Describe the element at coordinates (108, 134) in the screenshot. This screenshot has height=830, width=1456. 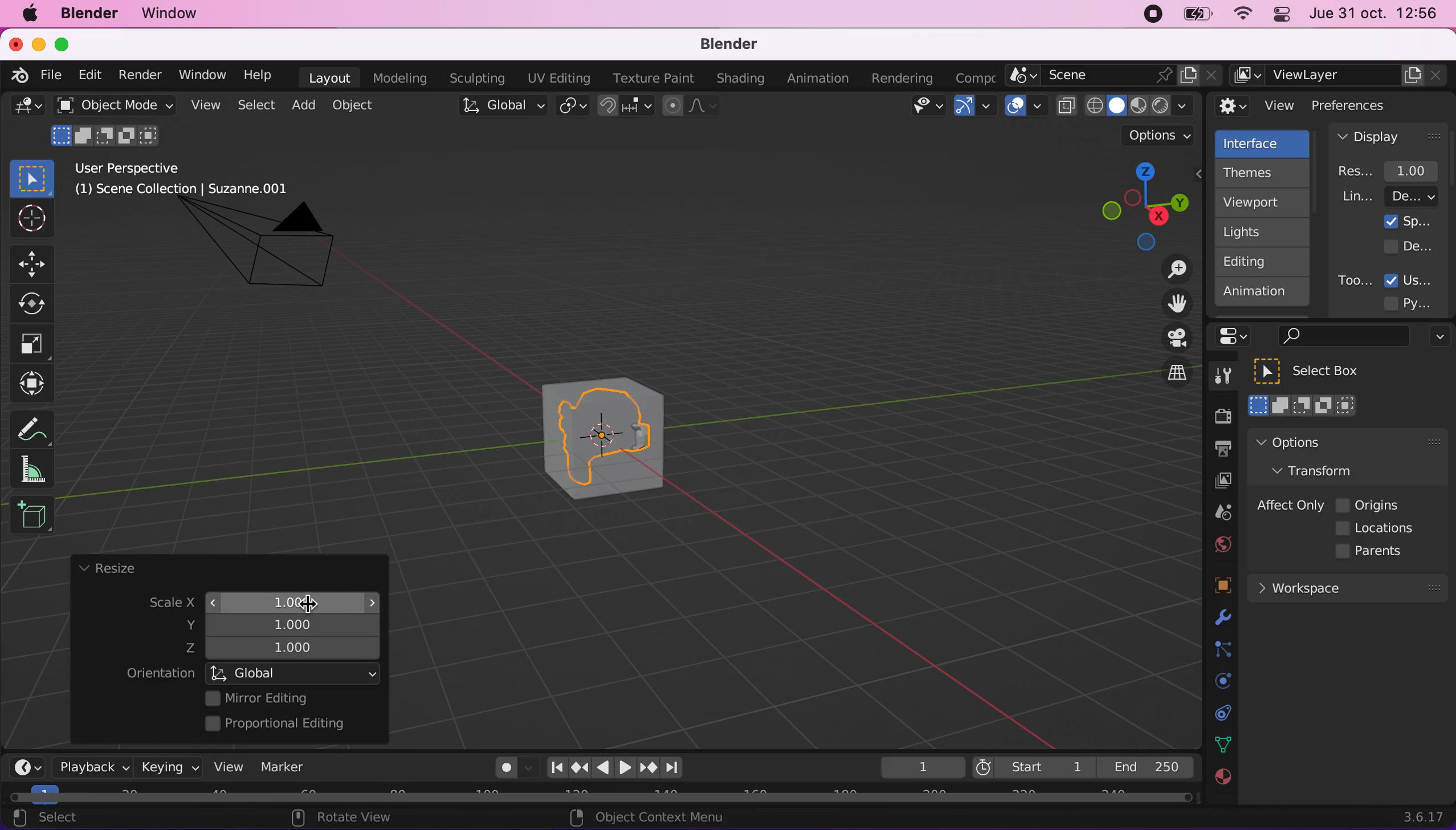
I see `mode` at that location.